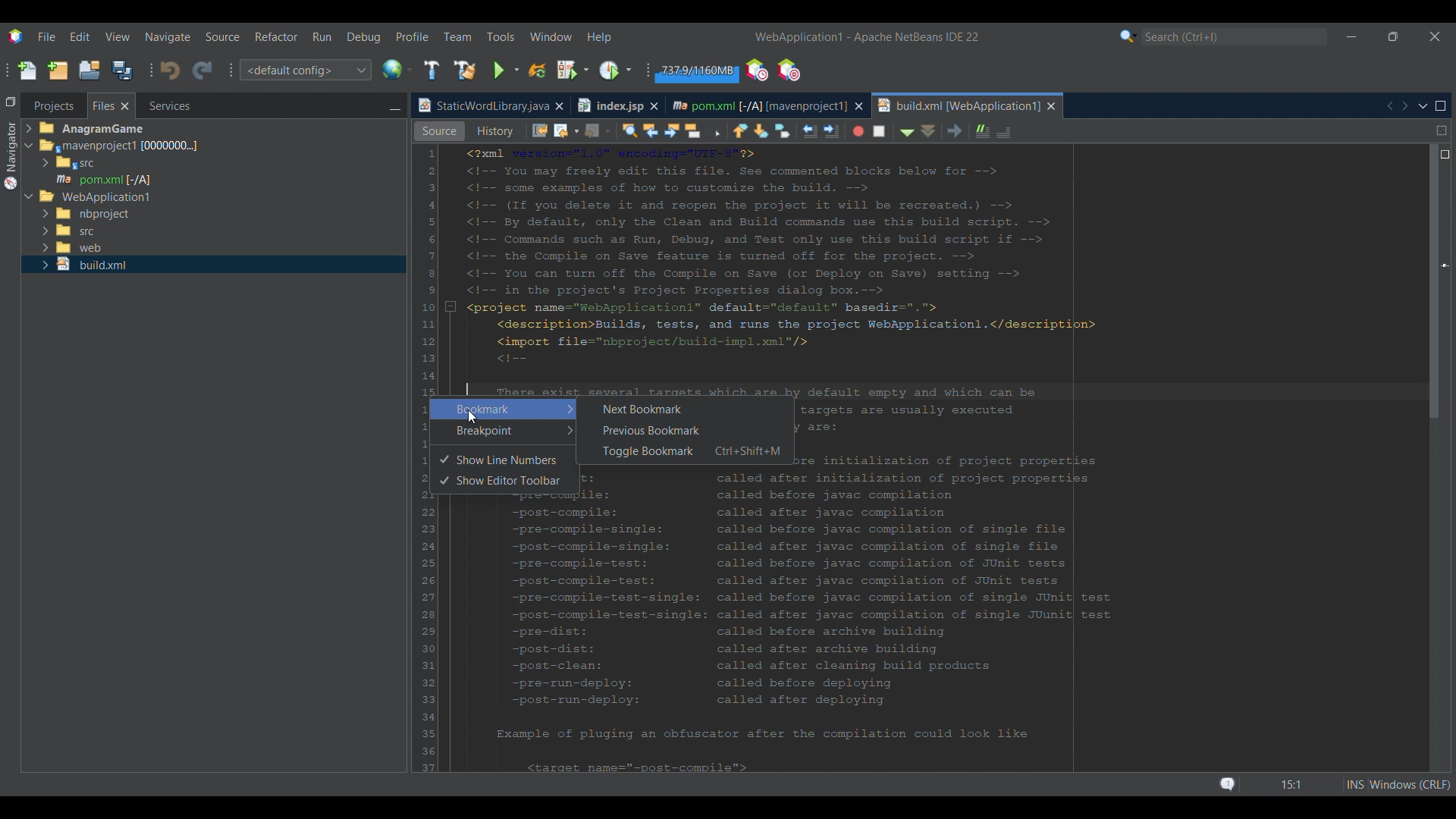 The width and height of the screenshot is (1456, 819). What do you see at coordinates (788, 70) in the screenshot?
I see `Pause I/O checks` at bounding box center [788, 70].